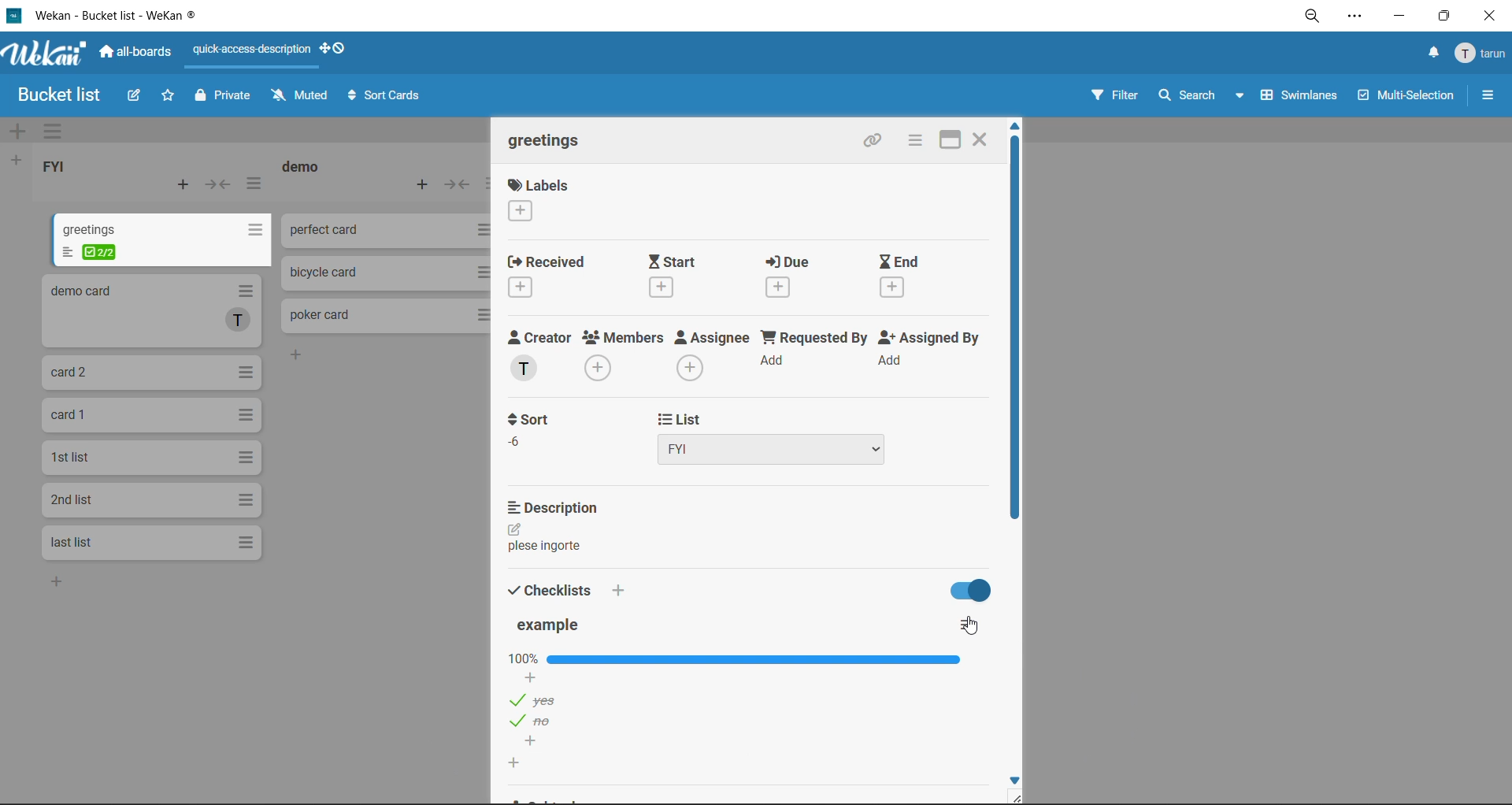 The image size is (1512, 805). What do you see at coordinates (428, 185) in the screenshot?
I see `add card` at bounding box center [428, 185].